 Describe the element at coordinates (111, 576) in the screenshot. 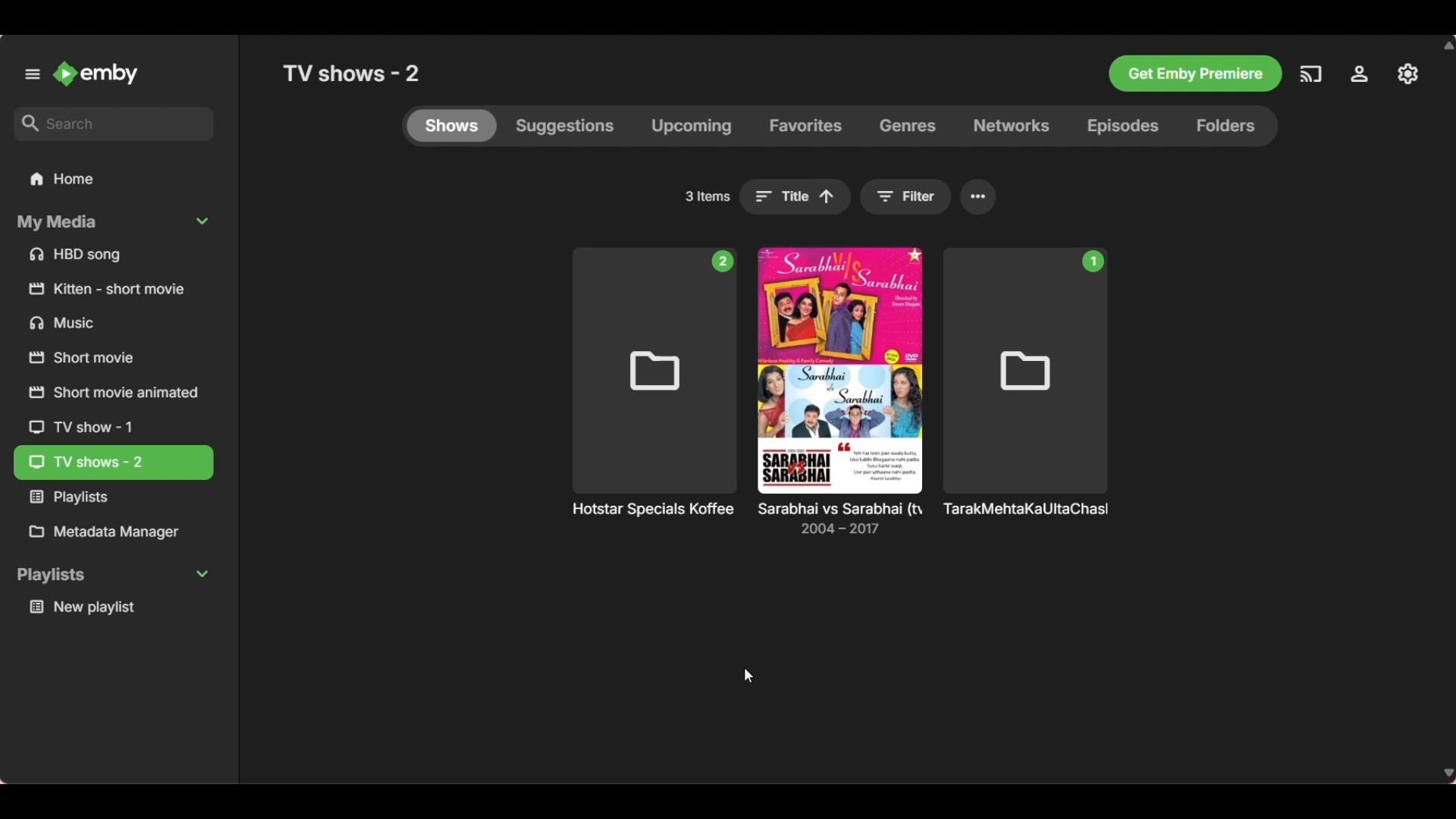

I see `Collapse Playlists` at that location.